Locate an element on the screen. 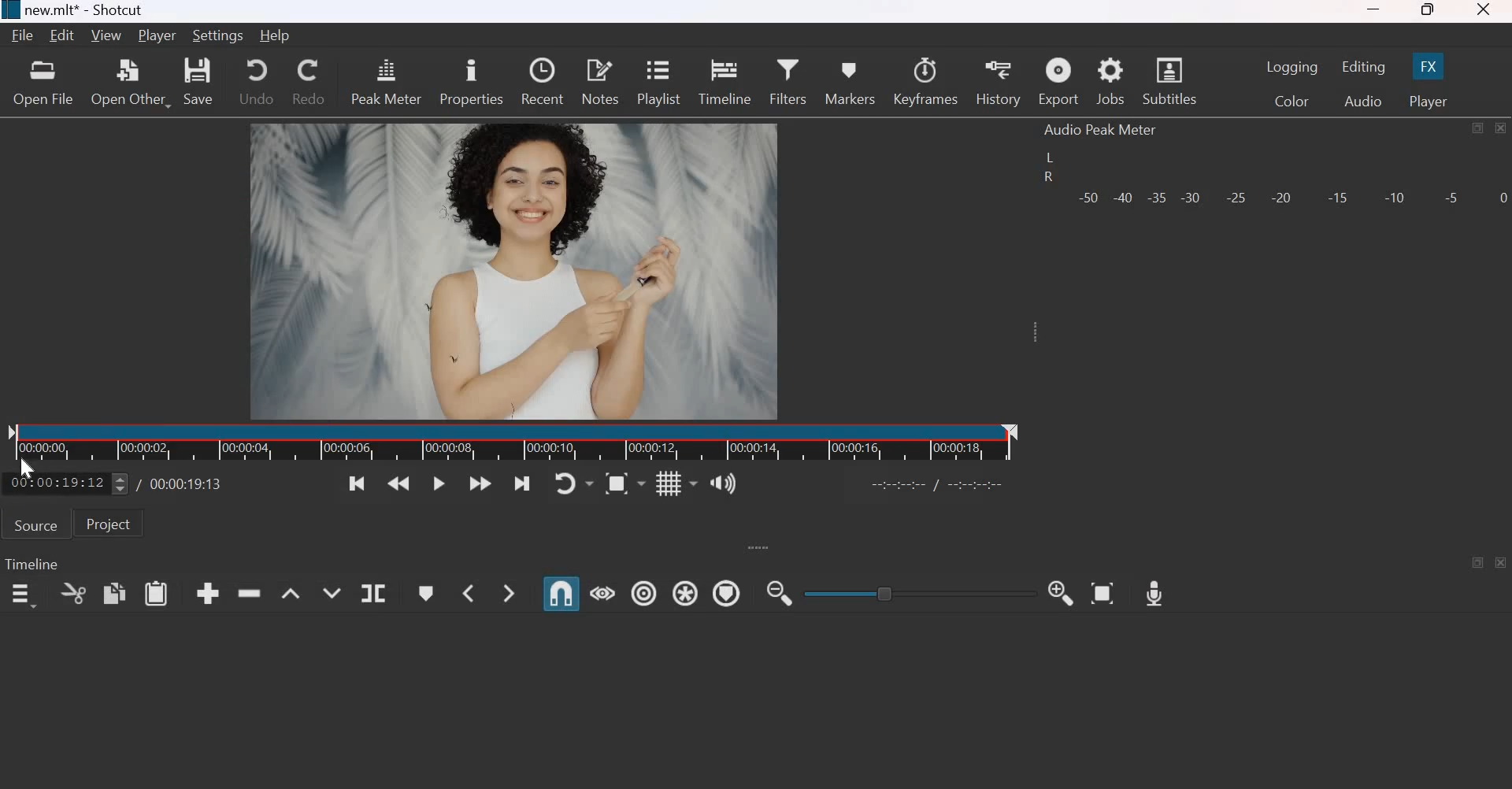  timeline is located at coordinates (726, 80).